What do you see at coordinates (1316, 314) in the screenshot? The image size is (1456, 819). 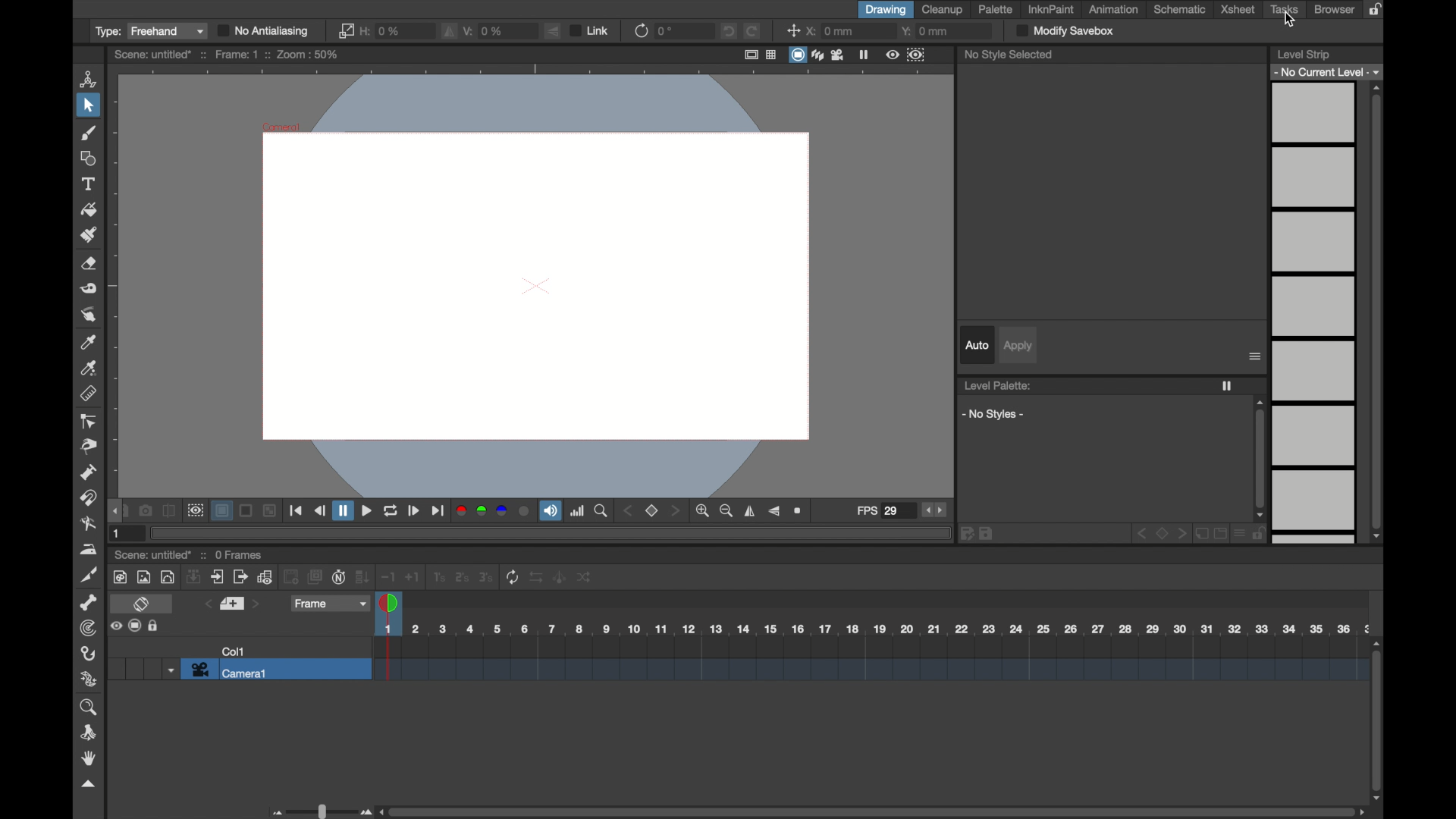 I see `levels` at bounding box center [1316, 314].